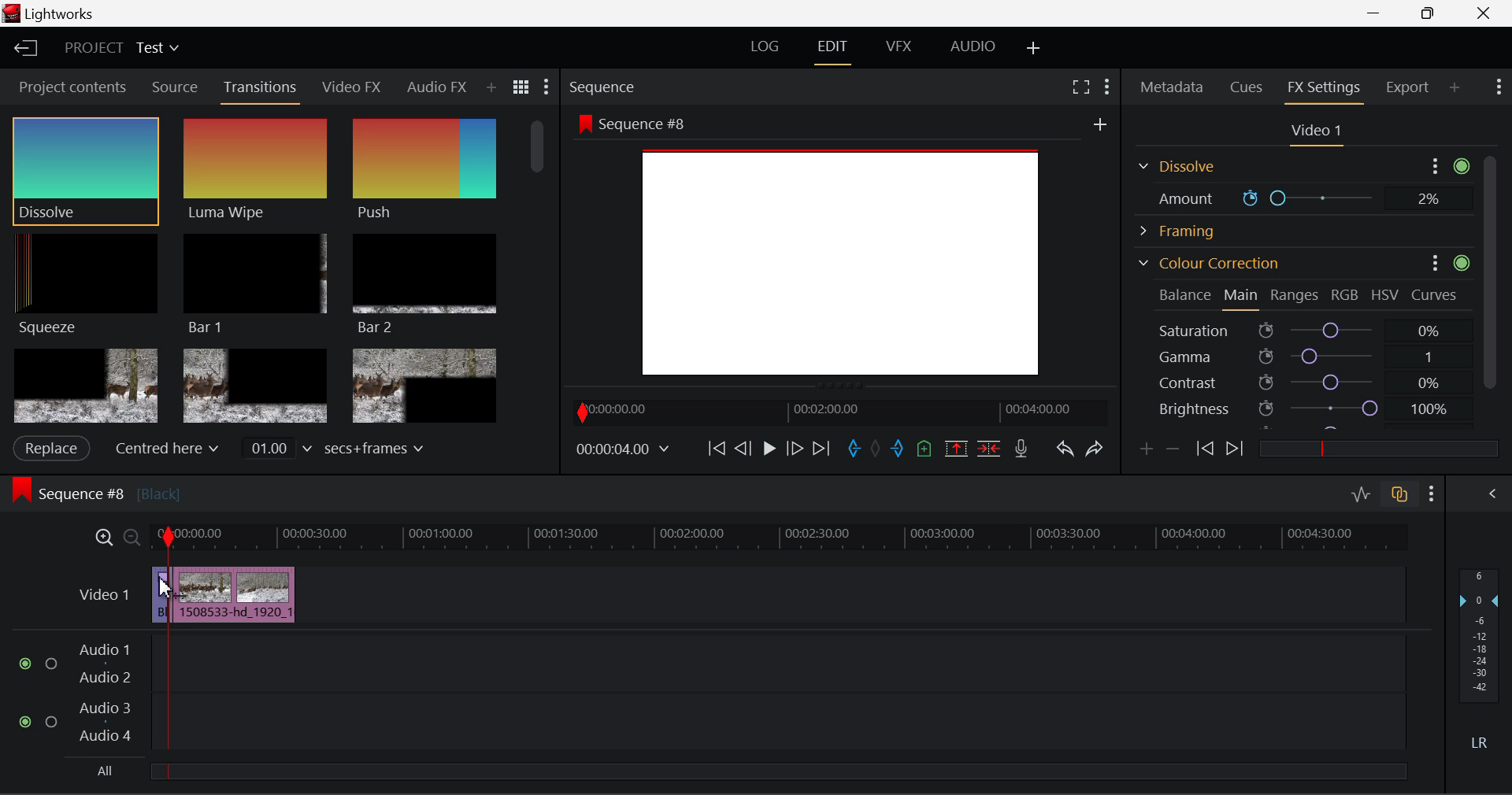  What do you see at coordinates (1400, 493) in the screenshot?
I see `Toggle audio track sync` at bounding box center [1400, 493].